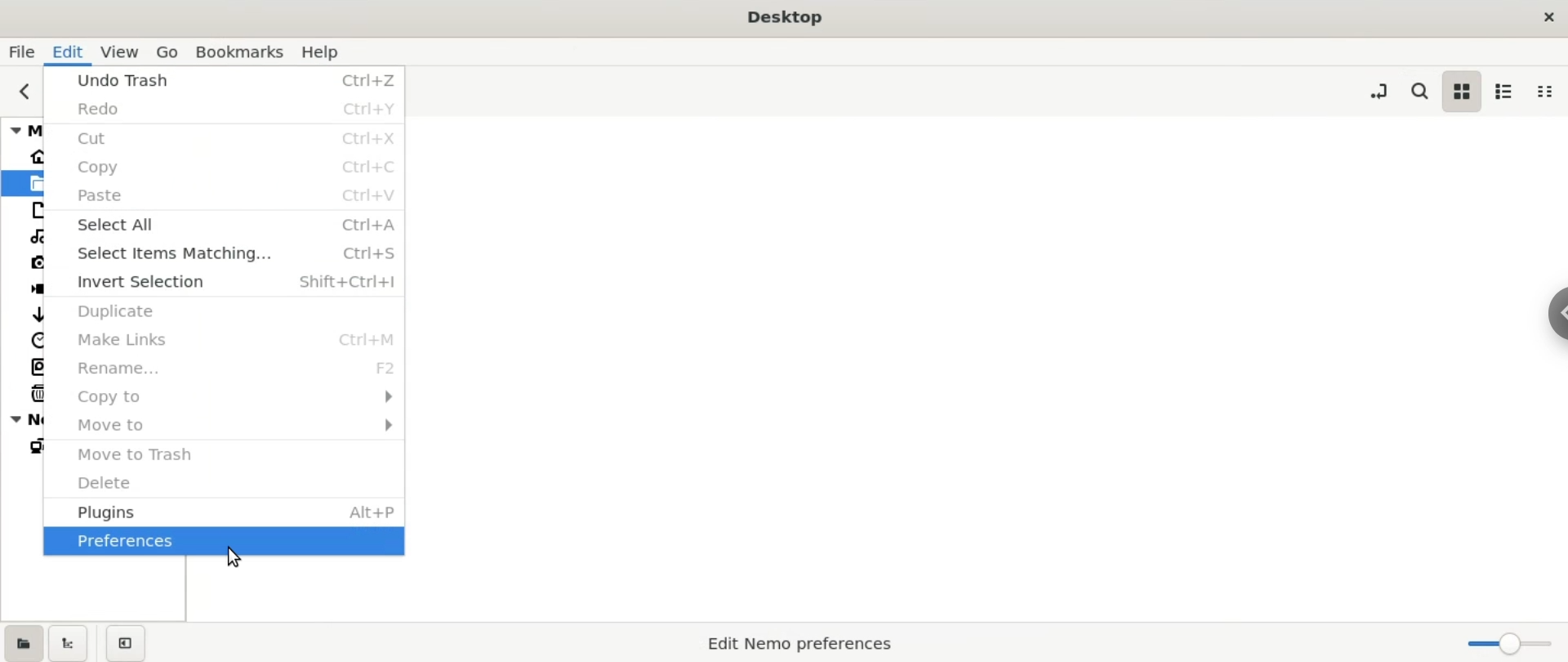 The height and width of the screenshot is (662, 1568). What do you see at coordinates (324, 51) in the screenshot?
I see `help` at bounding box center [324, 51].